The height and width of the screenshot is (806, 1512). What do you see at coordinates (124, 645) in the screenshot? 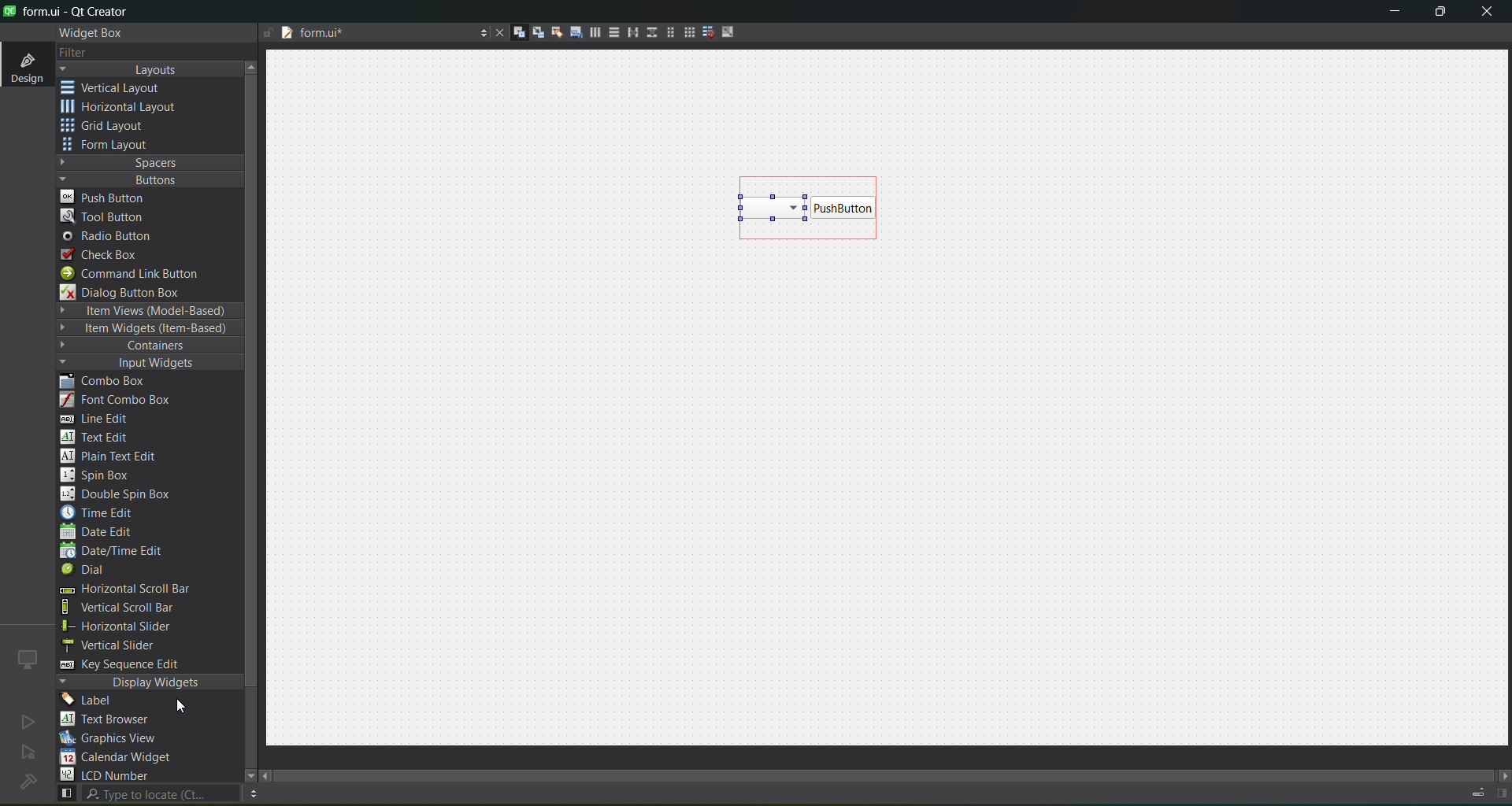
I see `vertical slider` at bounding box center [124, 645].